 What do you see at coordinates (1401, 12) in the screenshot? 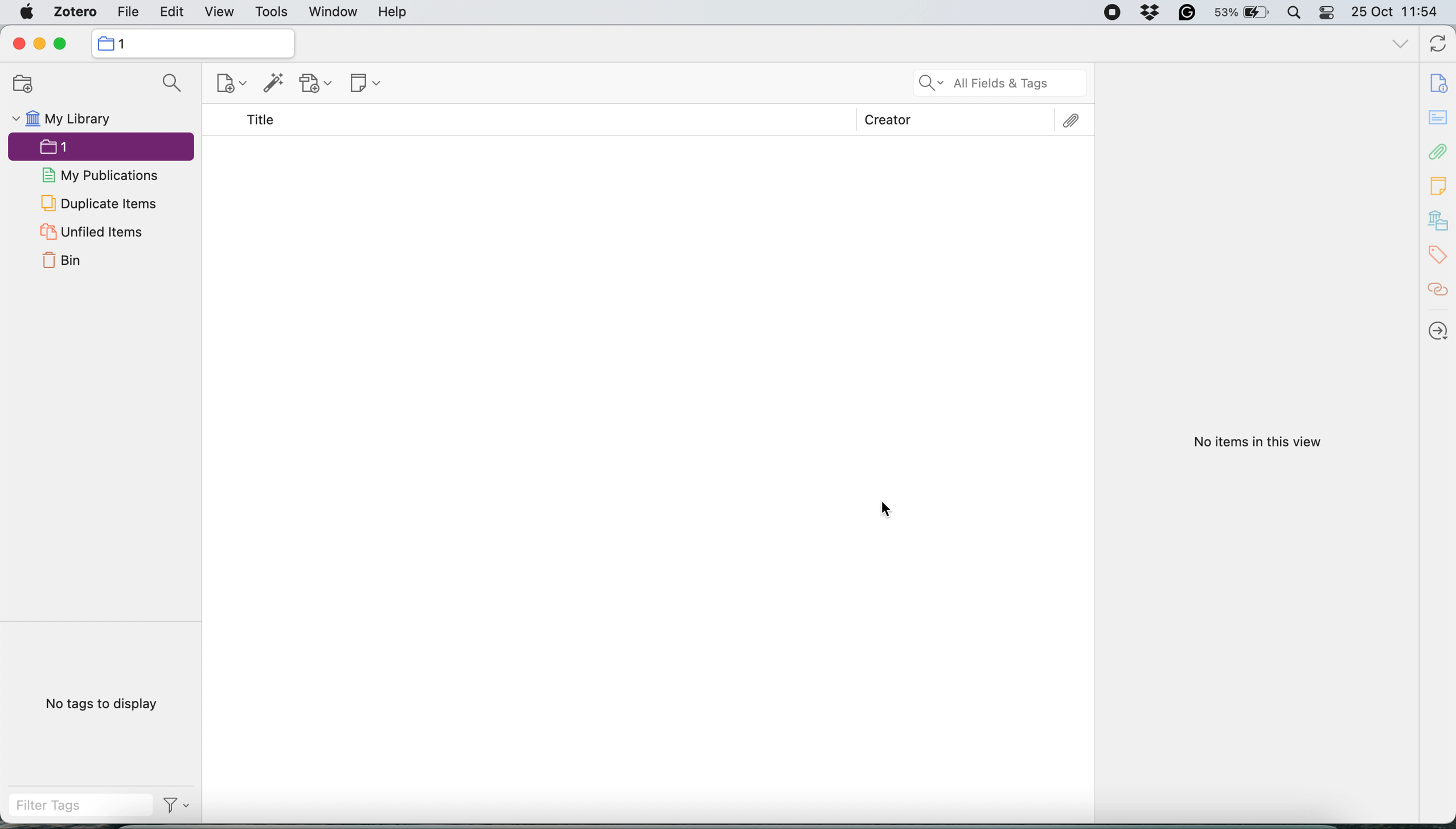
I see `25 Oct 11:54` at bounding box center [1401, 12].